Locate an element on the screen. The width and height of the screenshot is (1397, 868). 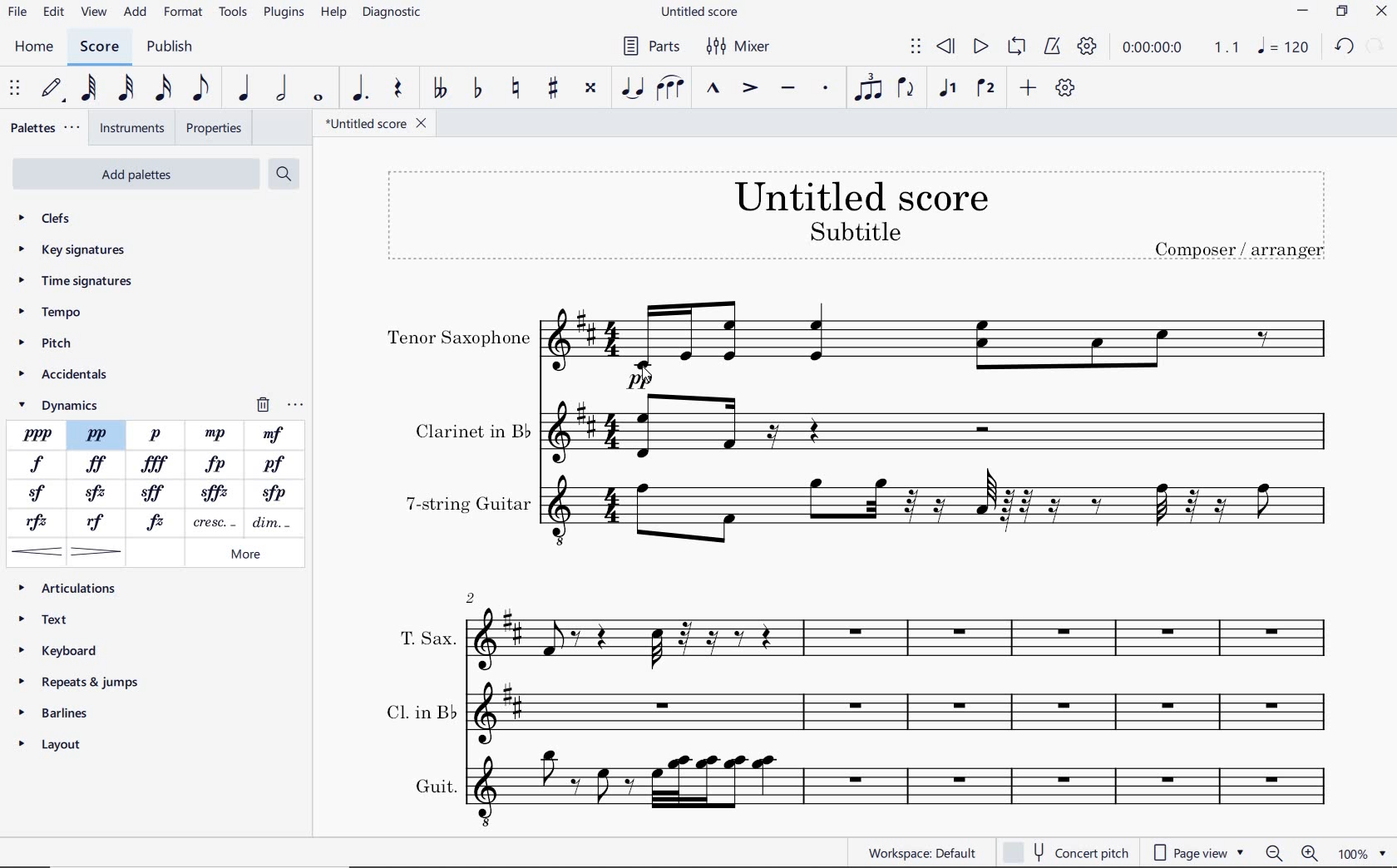
7-string guitar is located at coordinates (942, 515).